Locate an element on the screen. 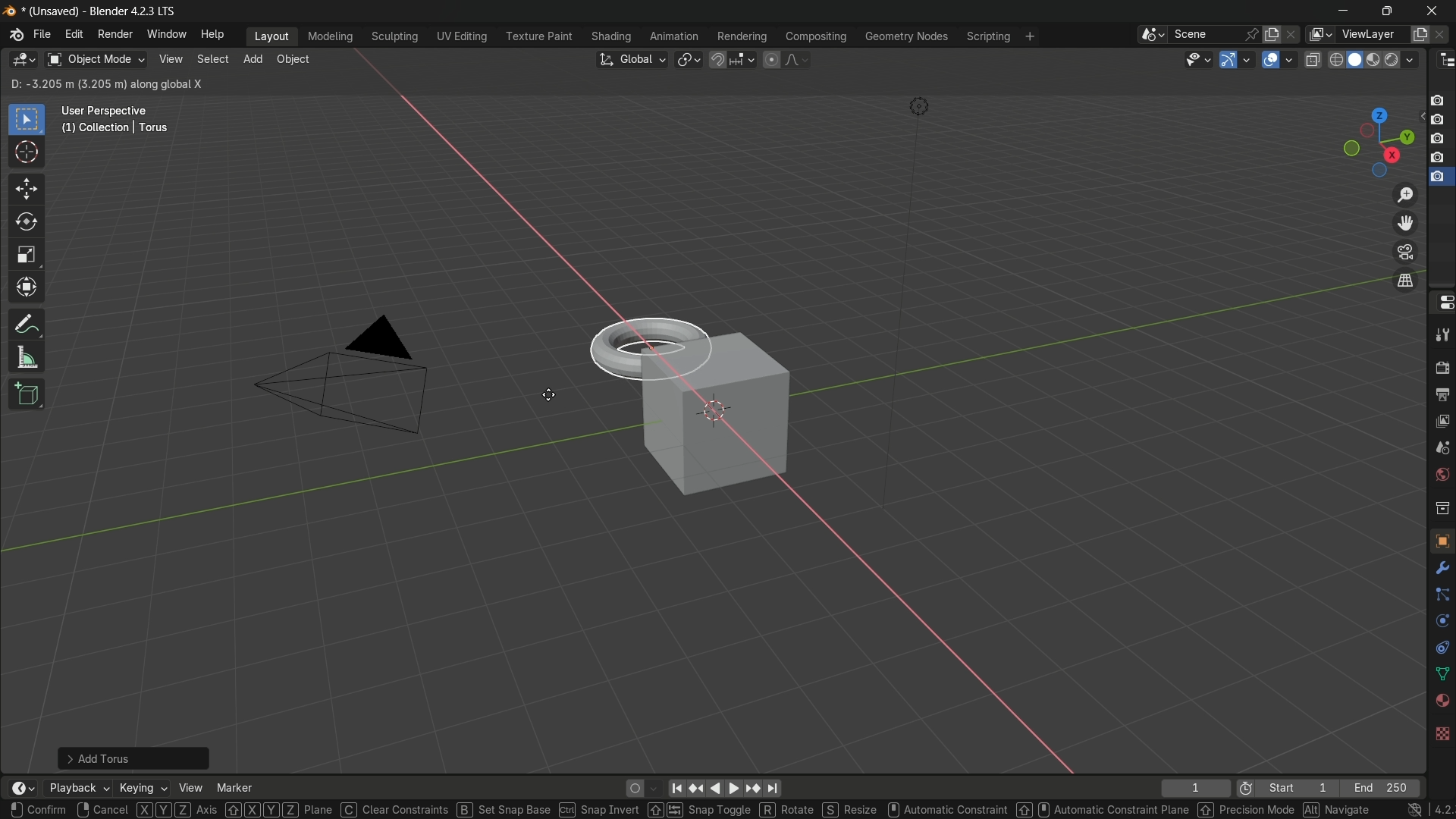 This screenshot has height=819, width=1456. transform pivot table is located at coordinates (688, 58).